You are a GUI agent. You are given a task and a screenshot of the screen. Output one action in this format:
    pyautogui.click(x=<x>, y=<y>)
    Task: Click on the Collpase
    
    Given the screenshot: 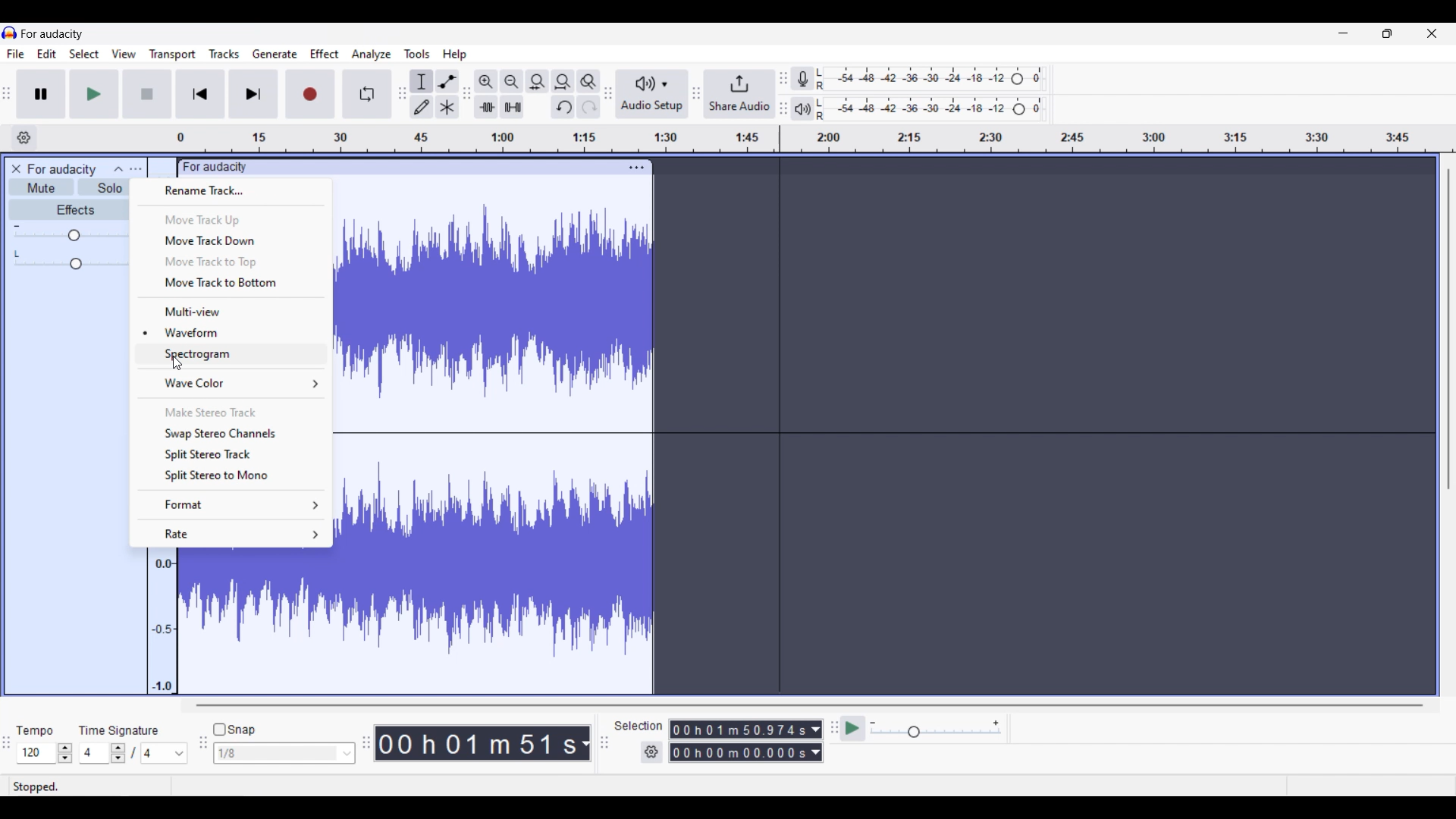 What is the action you would take?
    pyautogui.click(x=119, y=168)
    